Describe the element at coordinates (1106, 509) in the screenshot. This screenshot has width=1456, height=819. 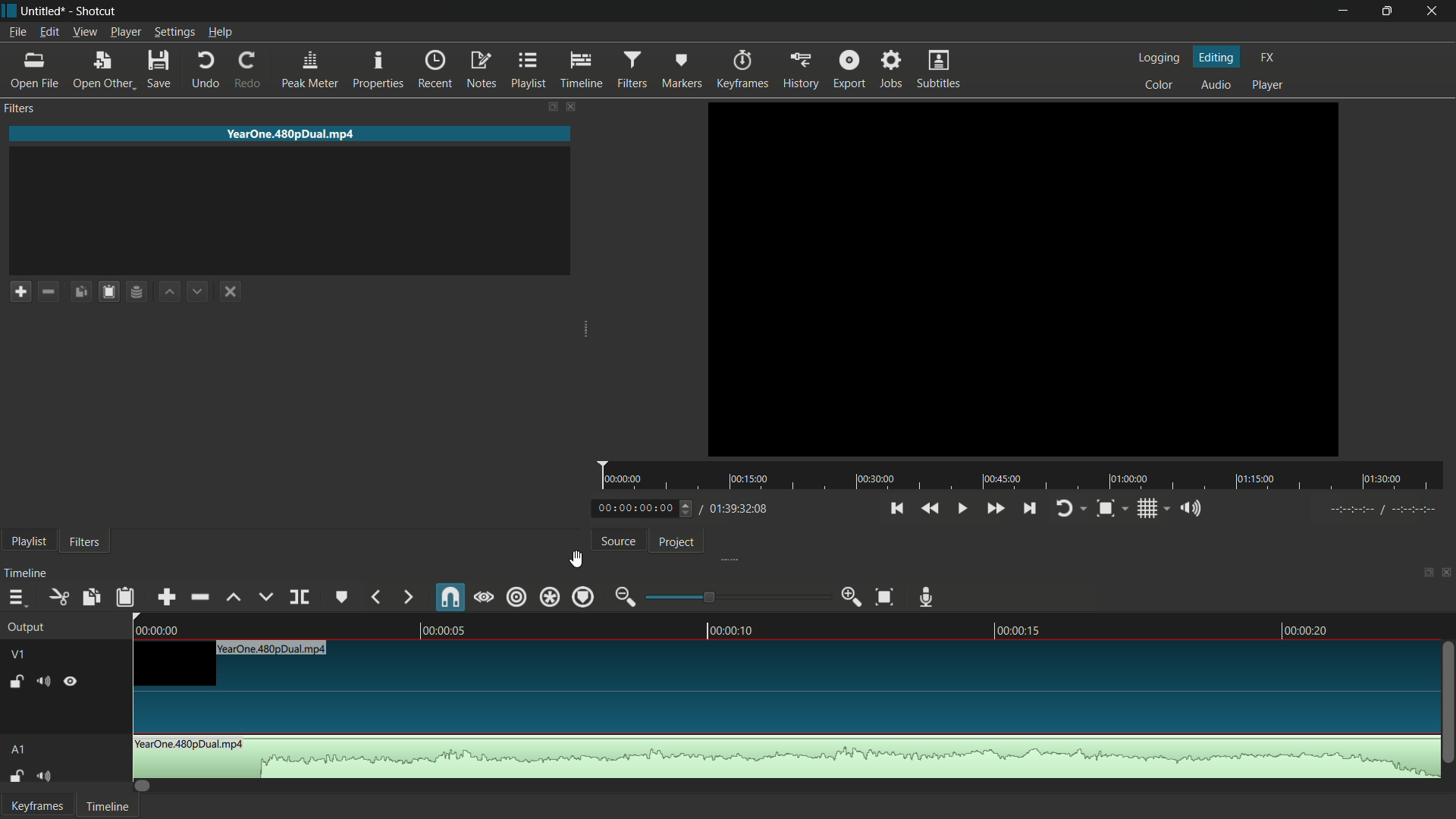
I see `toggle zoom` at that location.